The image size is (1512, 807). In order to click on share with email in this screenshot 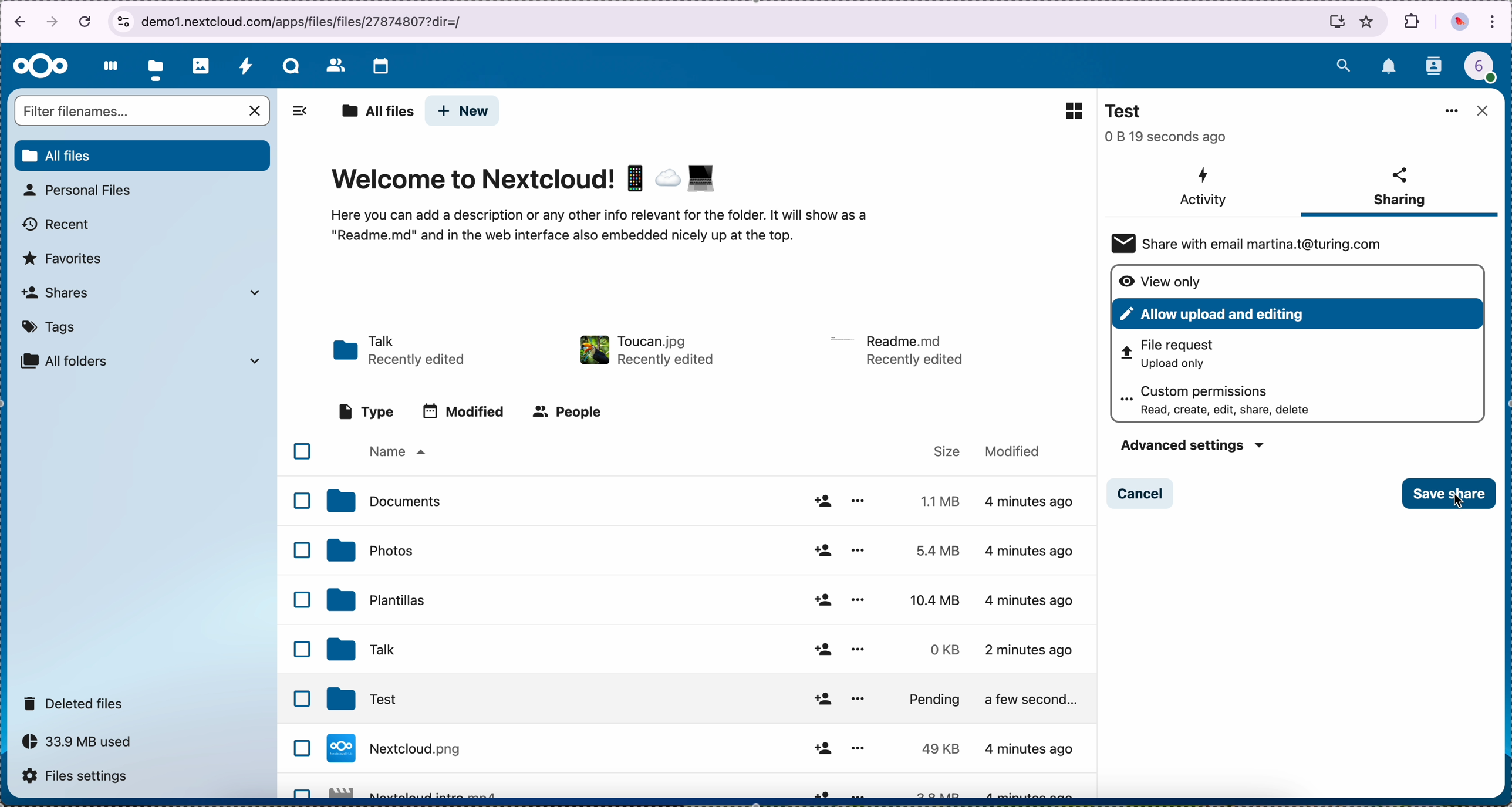, I will do `click(1258, 243)`.